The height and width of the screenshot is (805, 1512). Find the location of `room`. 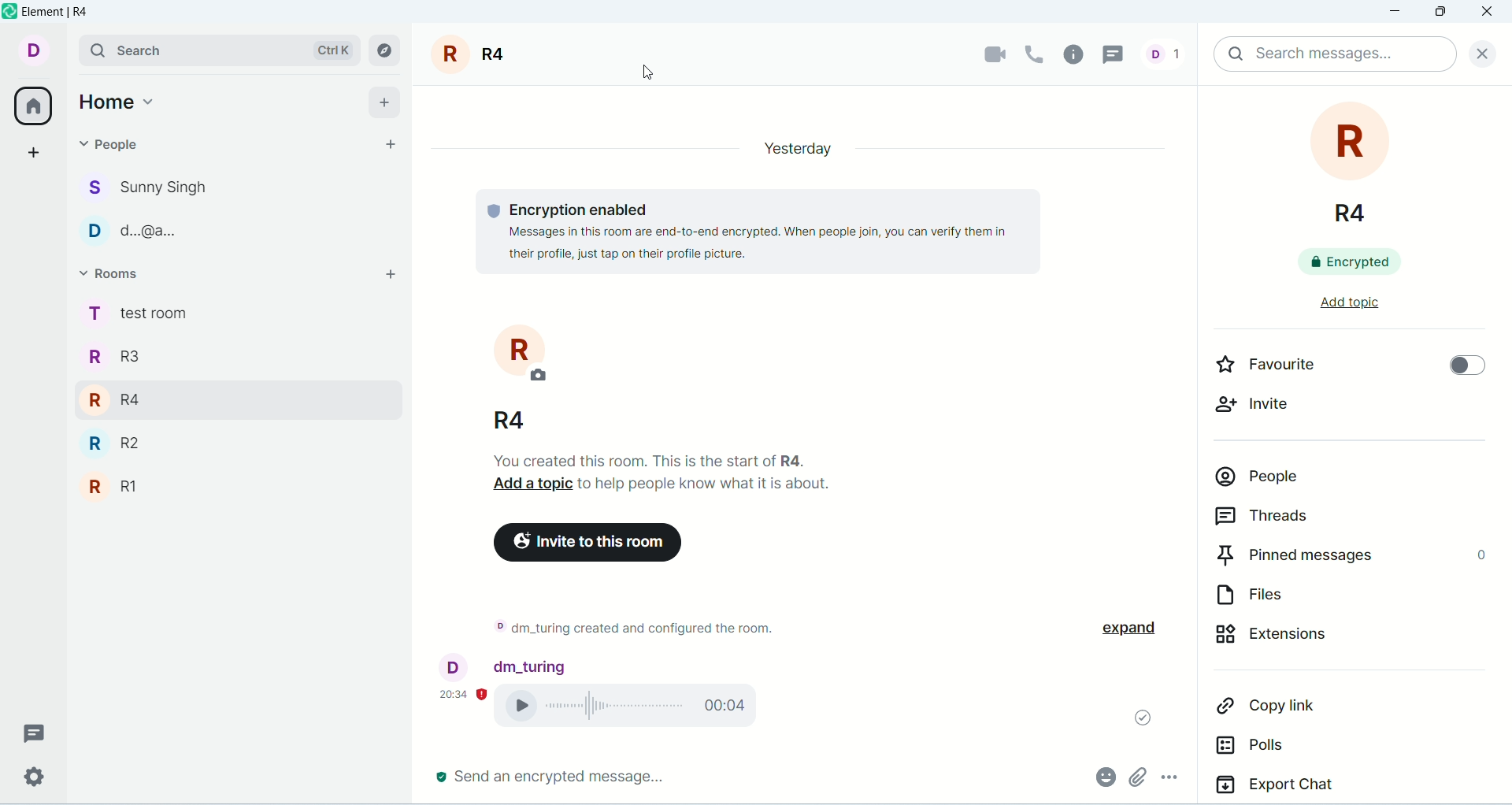

room is located at coordinates (1354, 165).